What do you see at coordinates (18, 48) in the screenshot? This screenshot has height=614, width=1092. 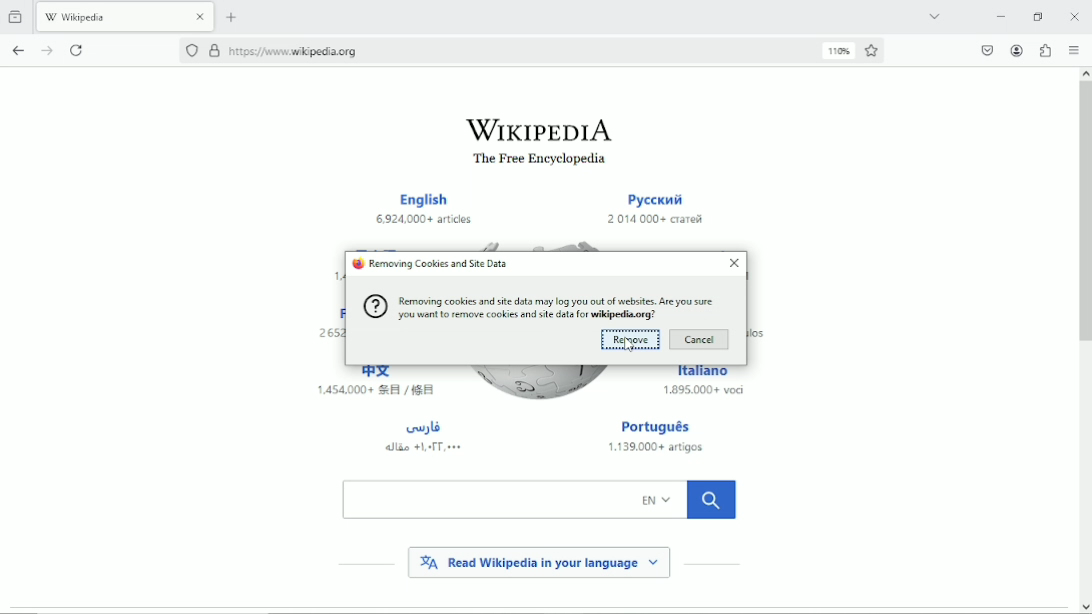 I see `go back` at bounding box center [18, 48].